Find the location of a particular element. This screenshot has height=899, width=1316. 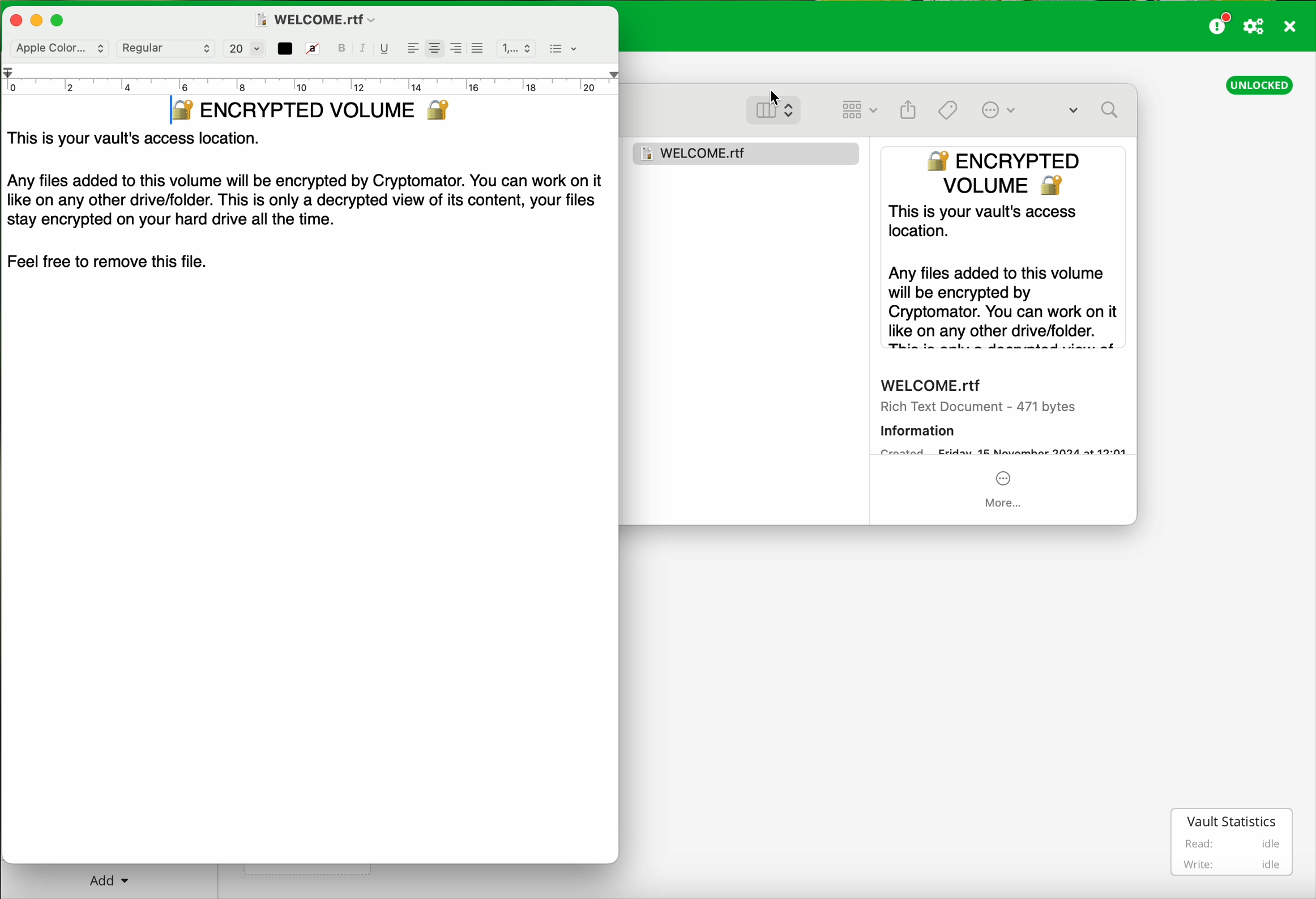

cursor is located at coordinates (776, 94).